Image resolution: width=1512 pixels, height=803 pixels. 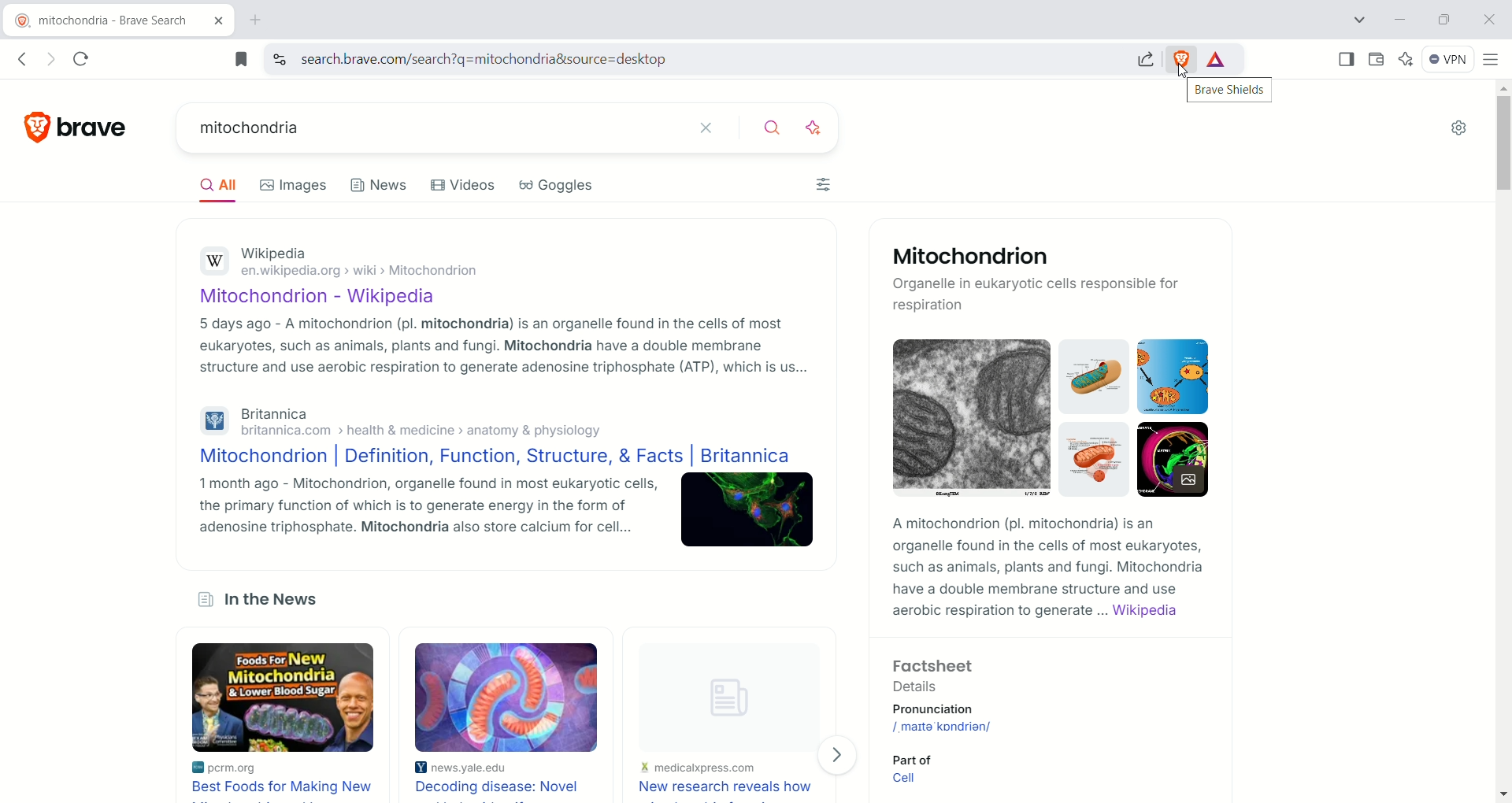 I want to click on All, so click(x=223, y=188).